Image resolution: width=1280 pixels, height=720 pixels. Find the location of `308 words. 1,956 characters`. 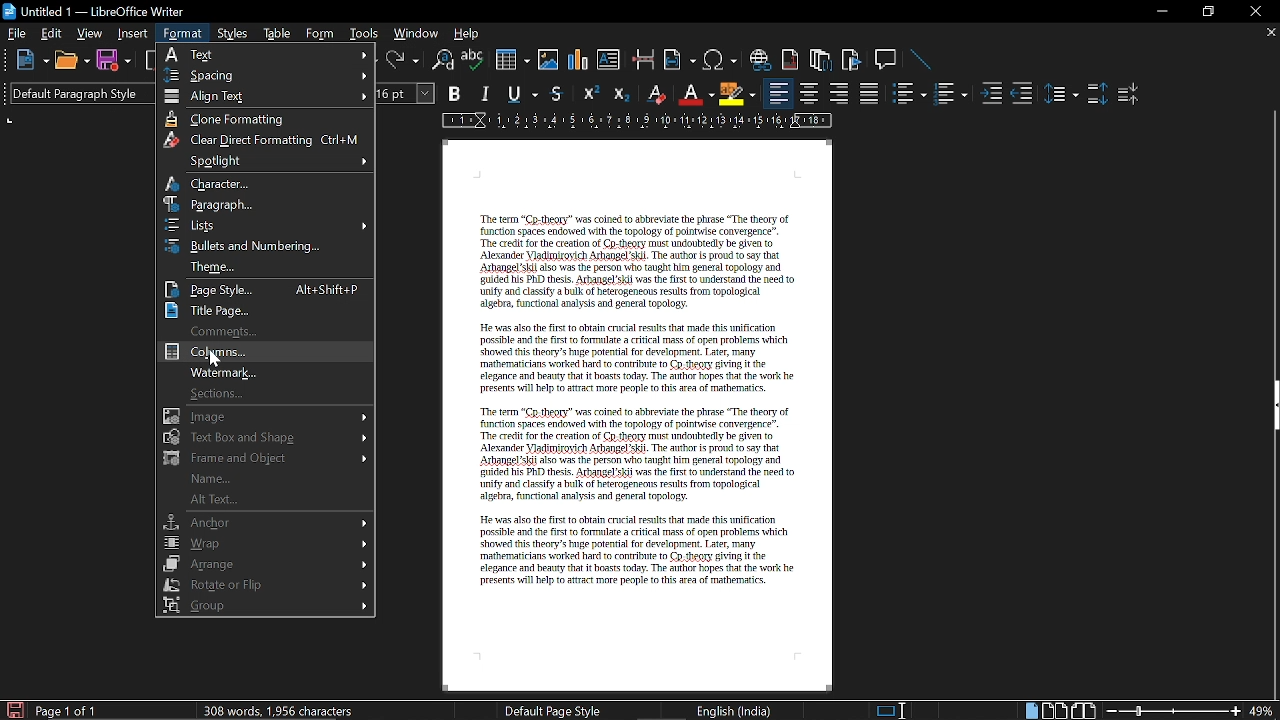

308 words. 1,956 characters is located at coordinates (283, 712).